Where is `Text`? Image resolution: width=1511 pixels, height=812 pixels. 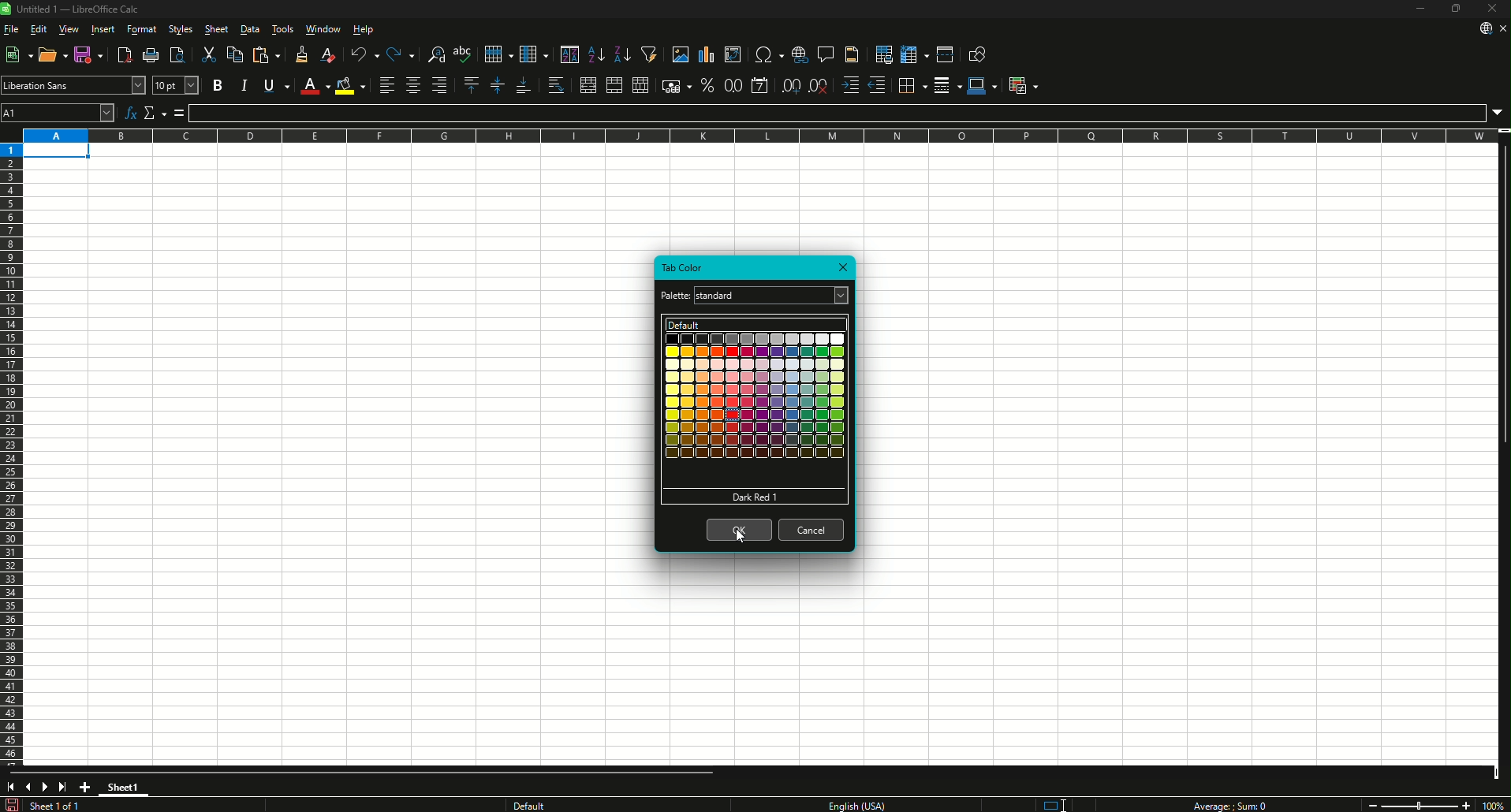 Text is located at coordinates (78, 9).